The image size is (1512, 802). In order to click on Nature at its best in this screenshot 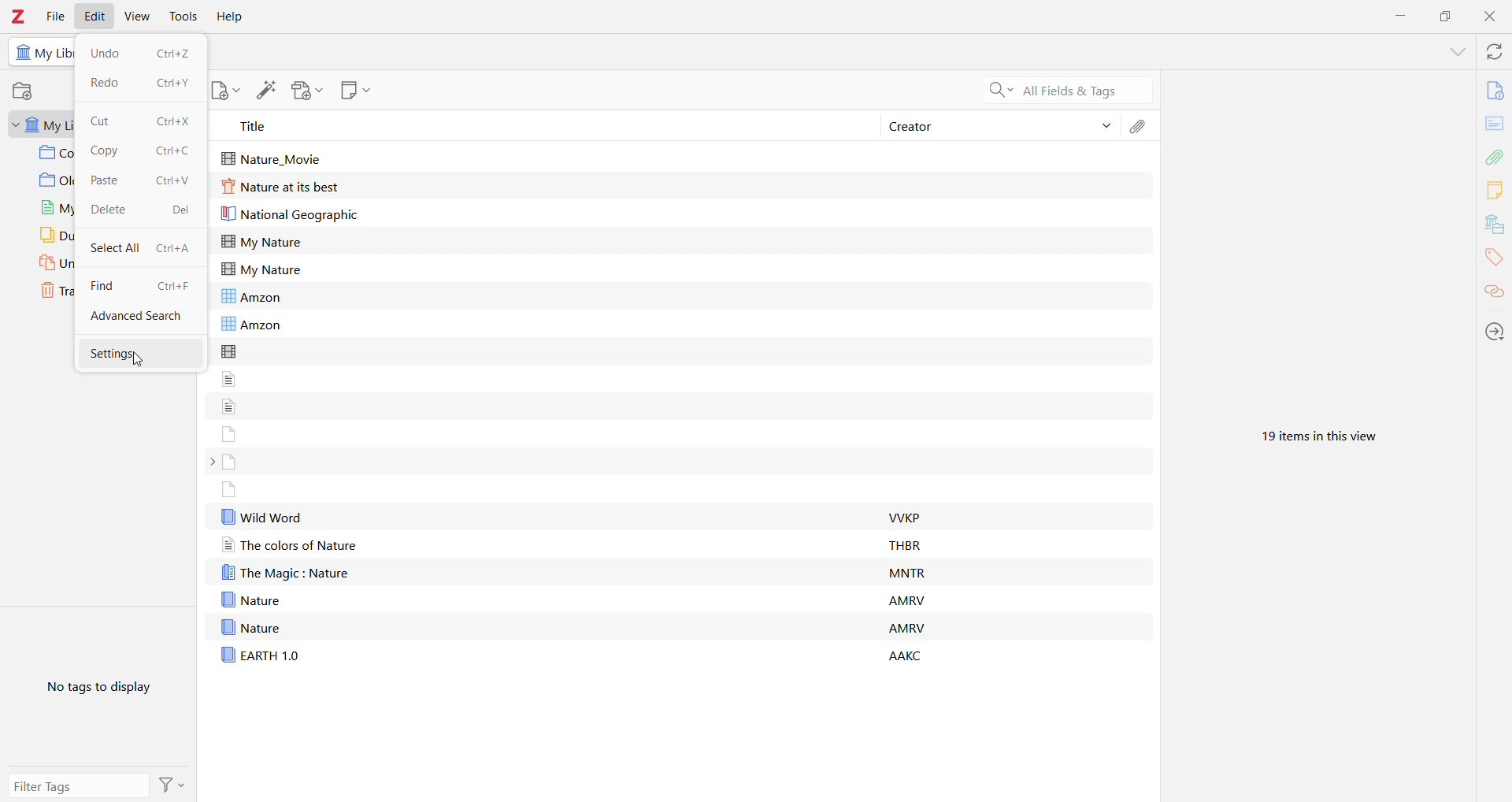, I will do `click(283, 188)`.